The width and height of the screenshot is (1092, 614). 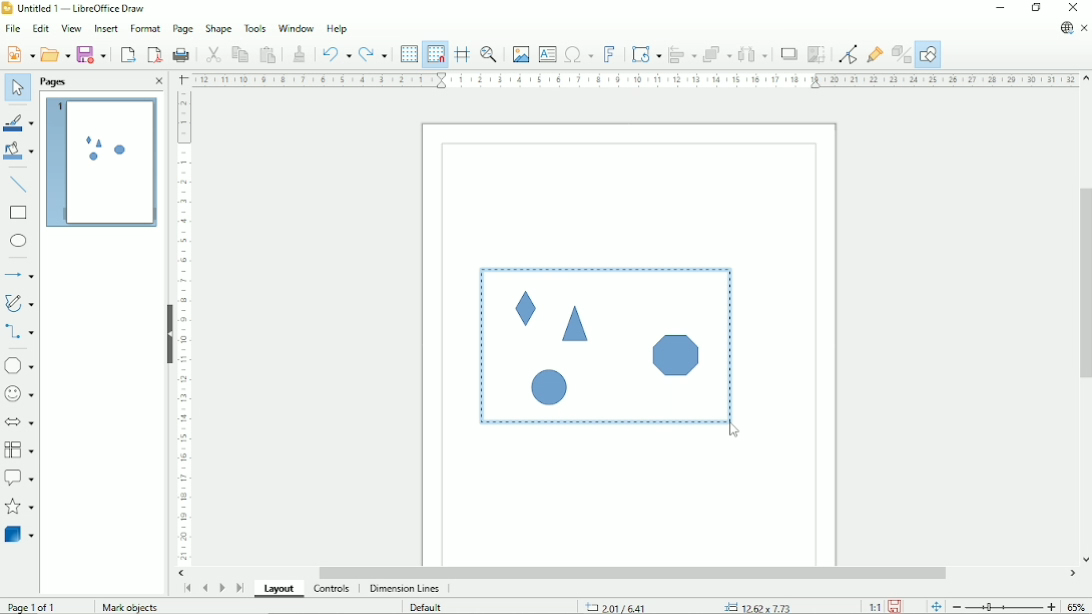 I want to click on Zoom out/in, so click(x=1003, y=607).